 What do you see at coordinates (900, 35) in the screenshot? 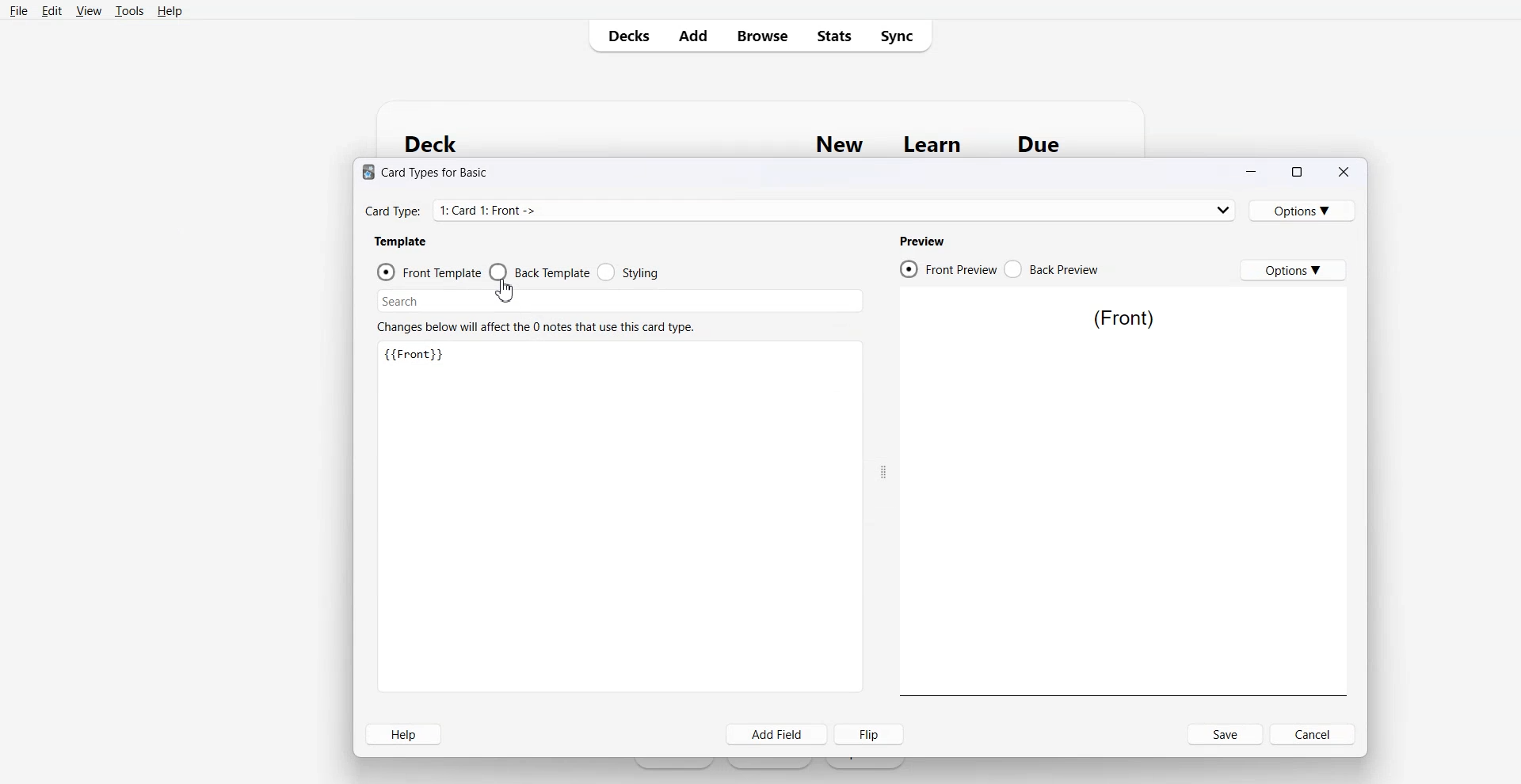
I see `Sync` at bounding box center [900, 35].